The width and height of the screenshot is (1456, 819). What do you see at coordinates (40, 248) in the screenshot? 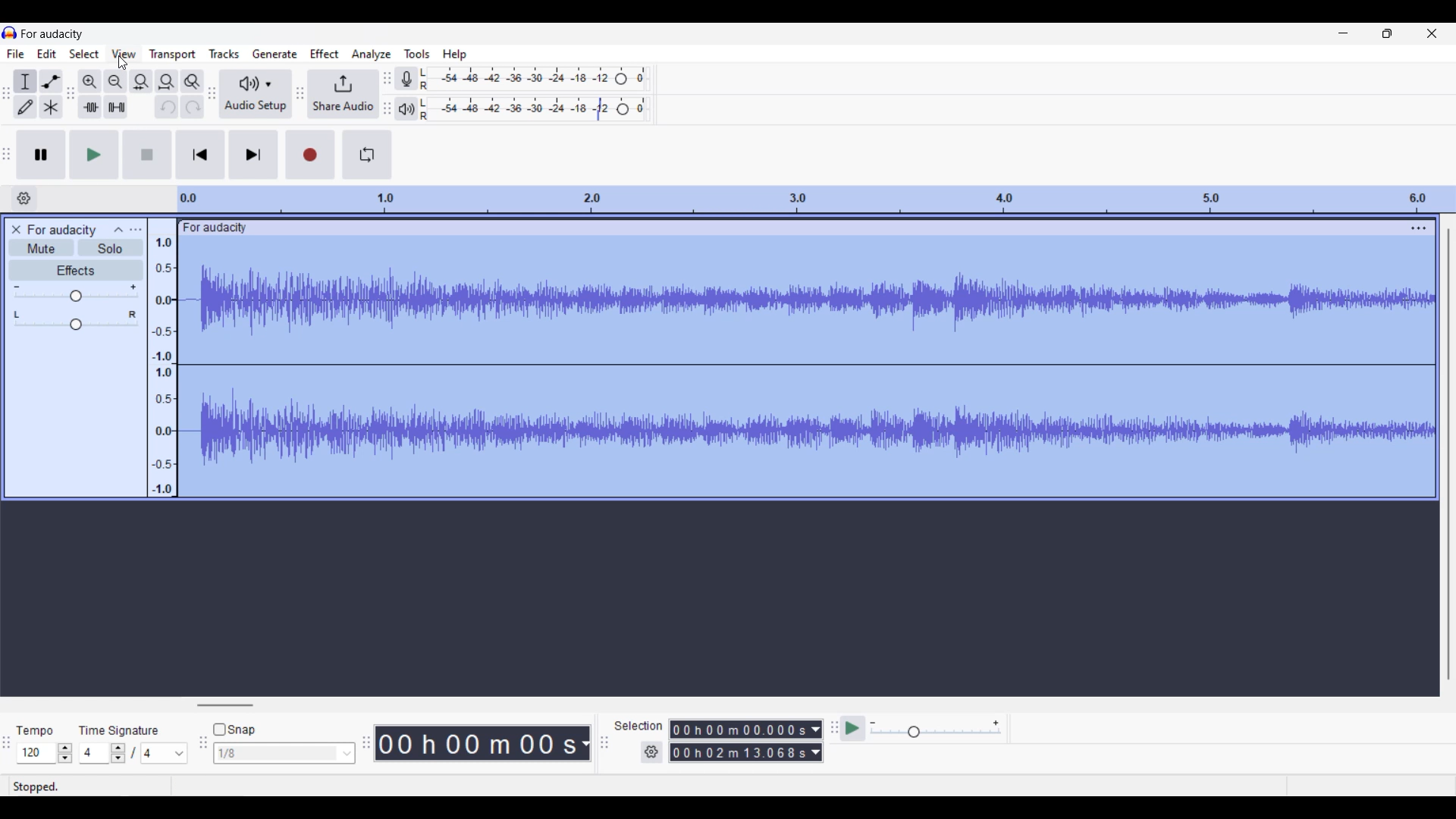
I see `Mute` at bounding box center [40, 248].